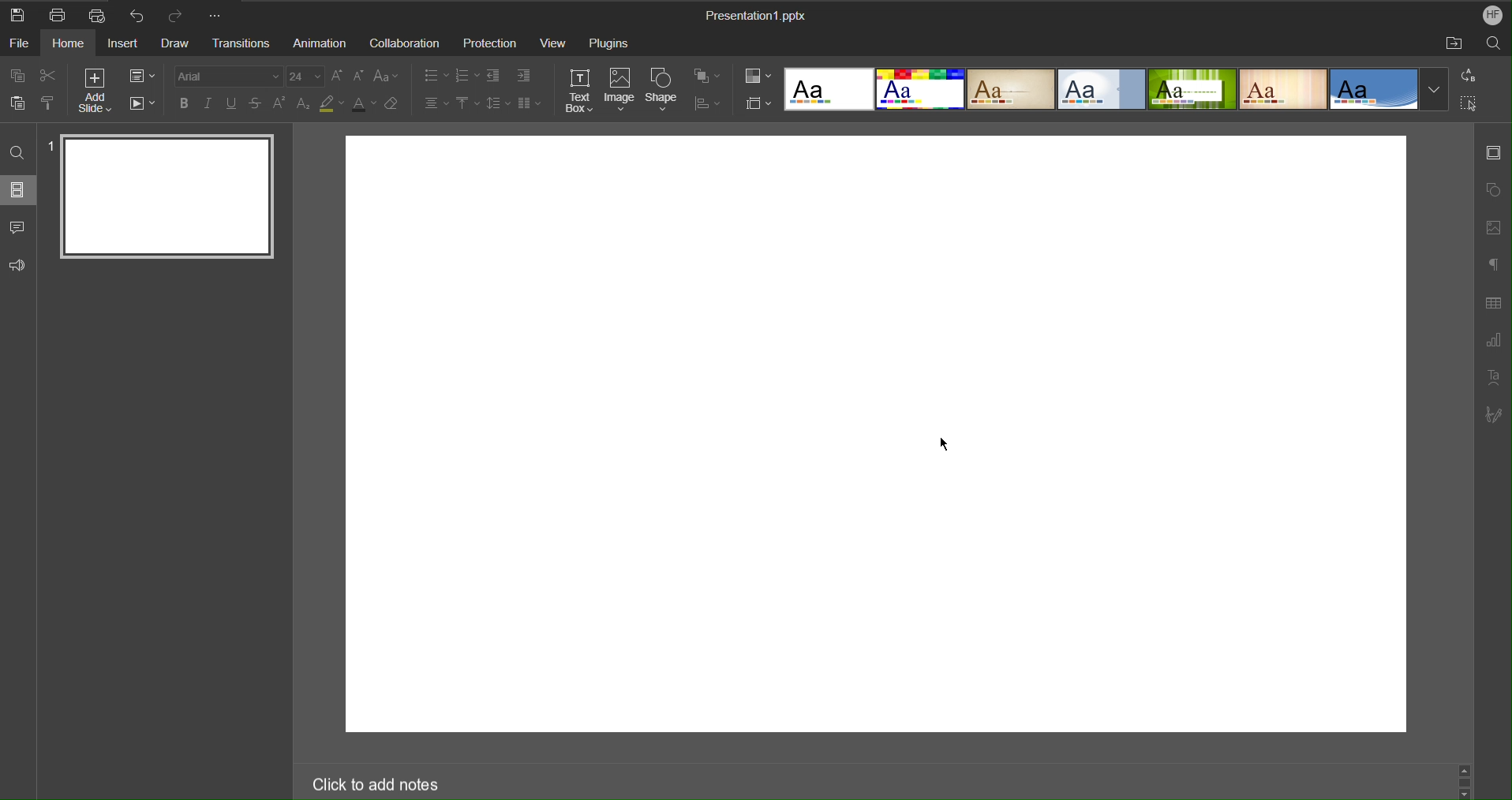  I want to click on Underline, so click(233, 104).